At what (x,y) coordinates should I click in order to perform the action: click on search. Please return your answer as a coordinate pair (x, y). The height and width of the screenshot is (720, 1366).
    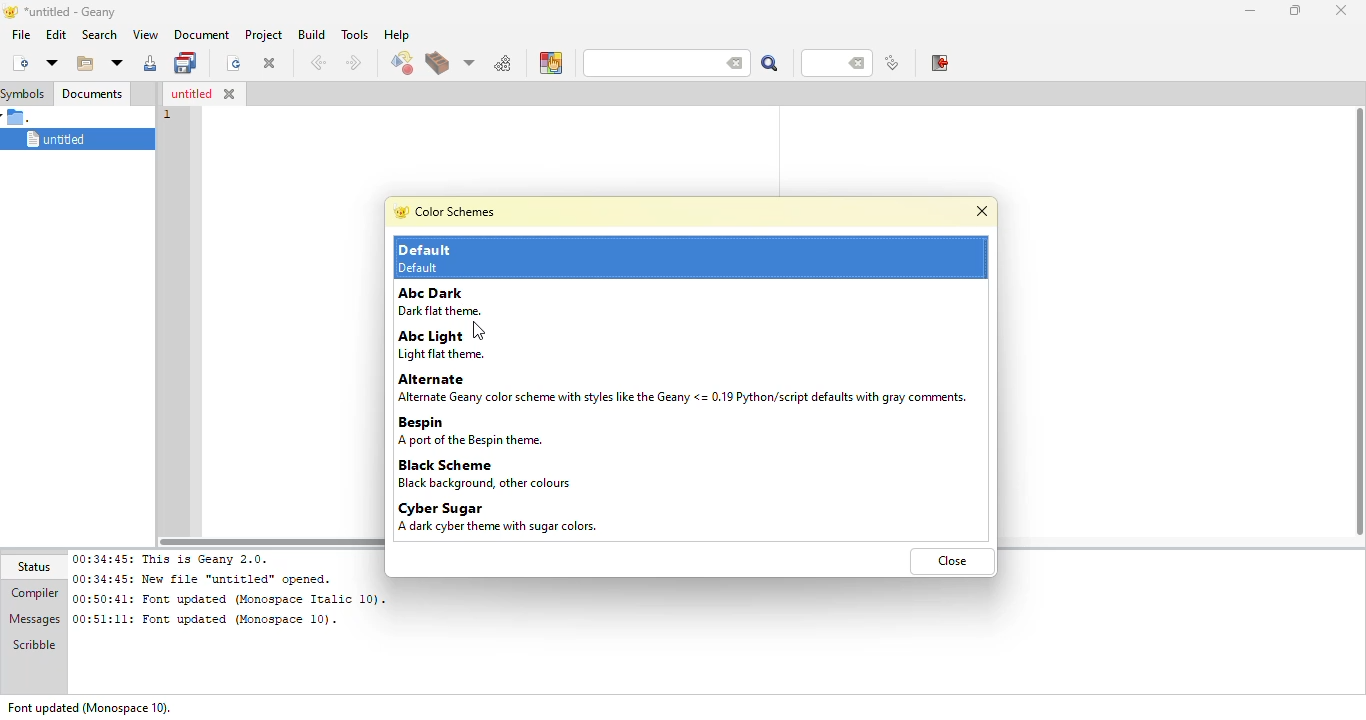
    Looking at the image, I should click on (768, 63).